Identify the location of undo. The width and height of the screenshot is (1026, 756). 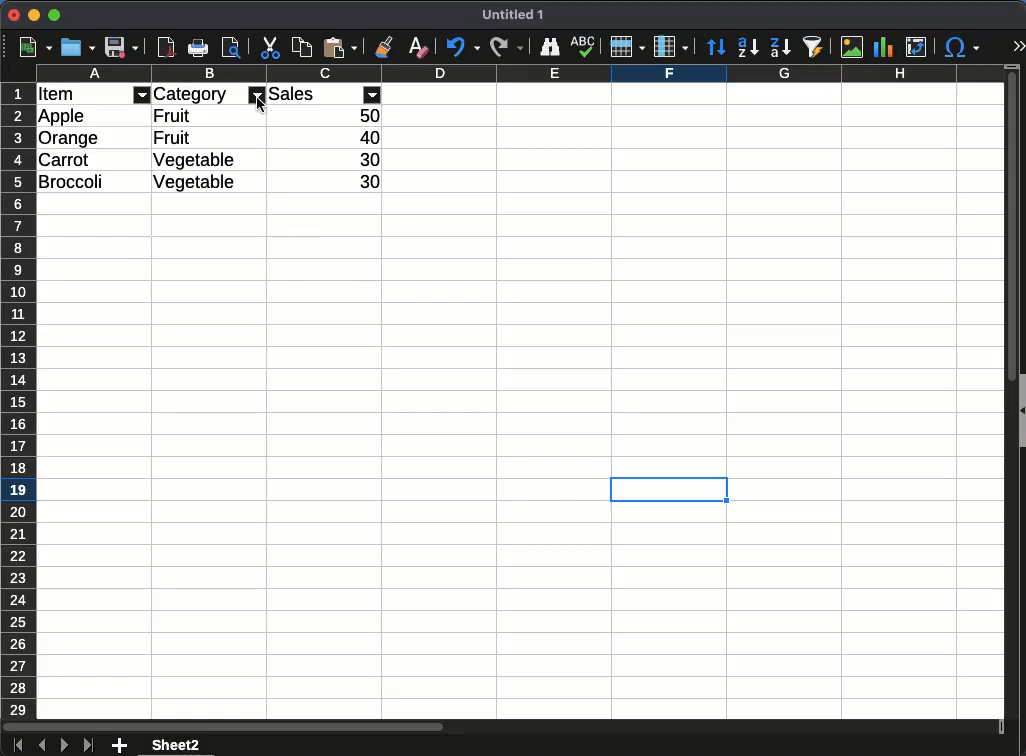
(462, 48).